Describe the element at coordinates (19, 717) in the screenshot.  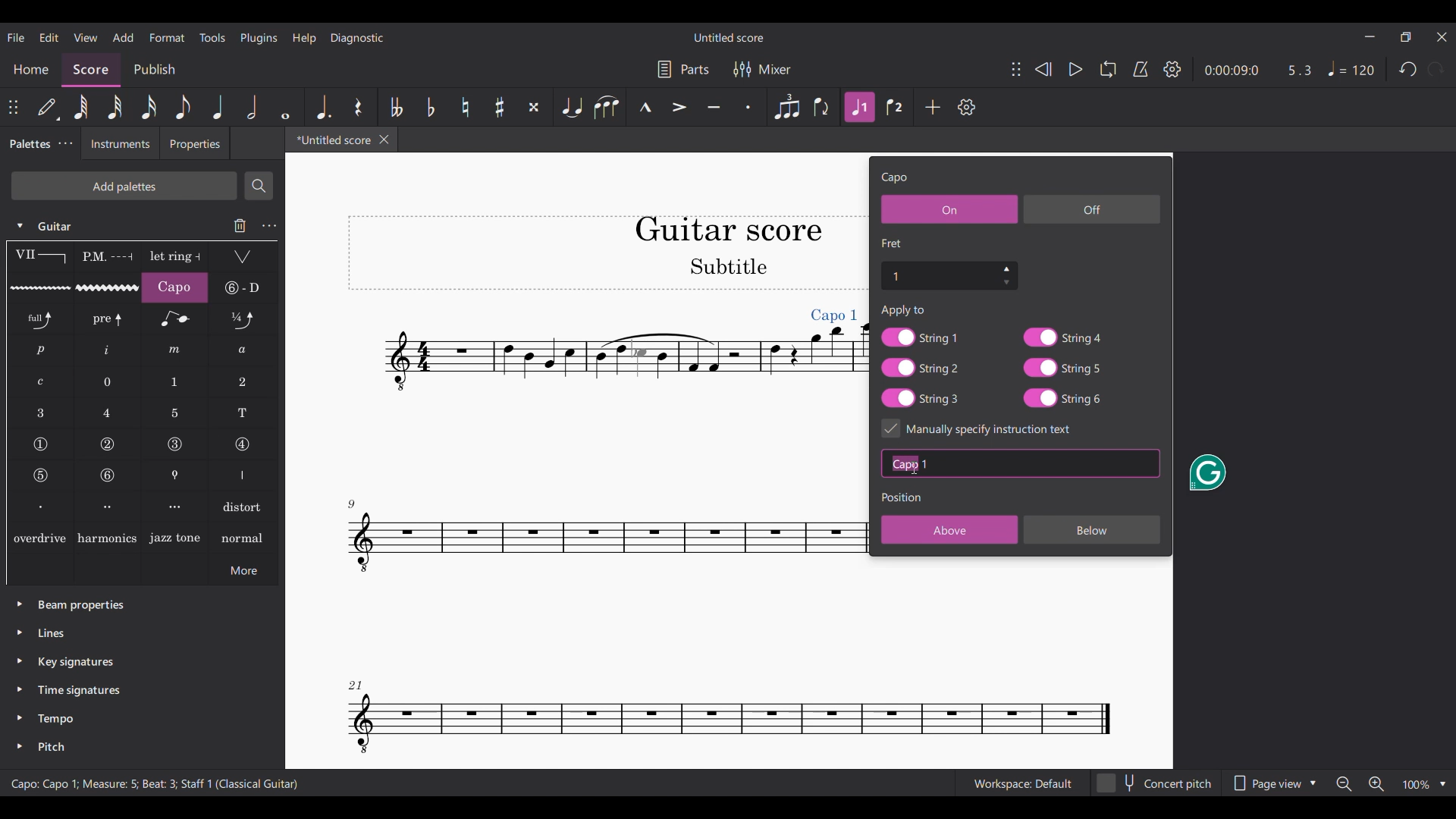
I see `Click to expand tempo palette` at that location.